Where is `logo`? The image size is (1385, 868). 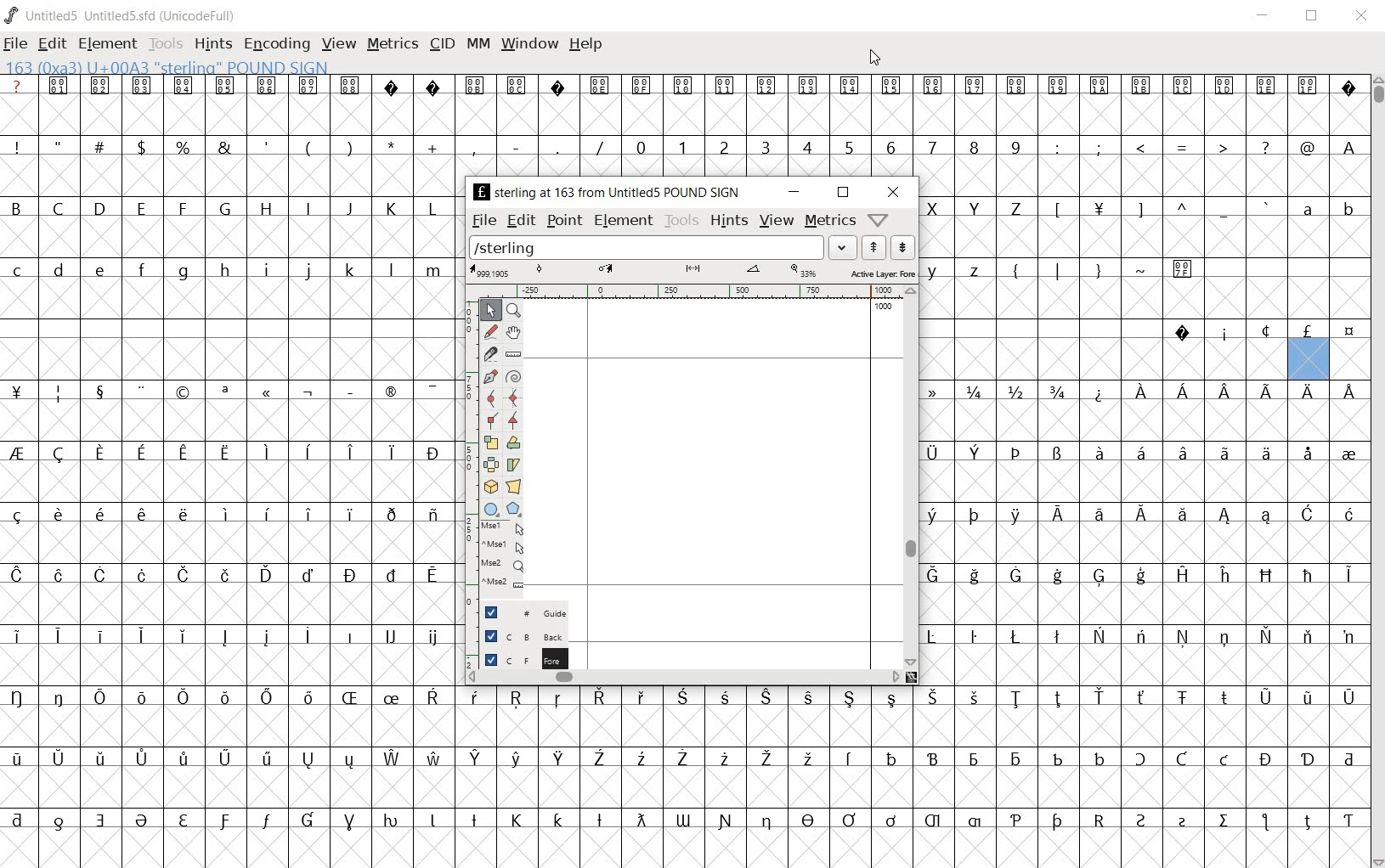 logo is located at coordinates (12, 14).